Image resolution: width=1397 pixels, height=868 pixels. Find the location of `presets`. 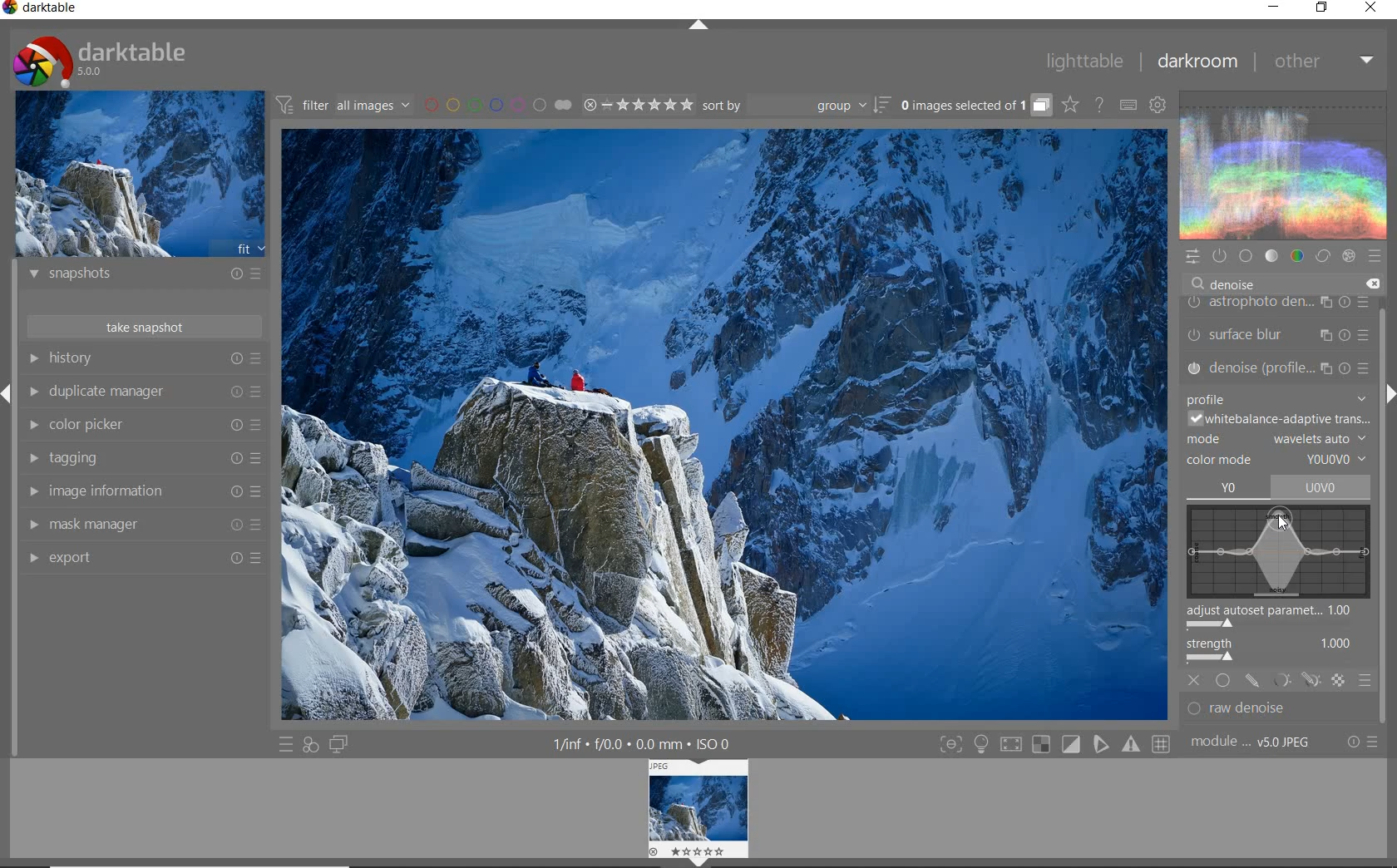

presets is located at coordinates (1375, 253).